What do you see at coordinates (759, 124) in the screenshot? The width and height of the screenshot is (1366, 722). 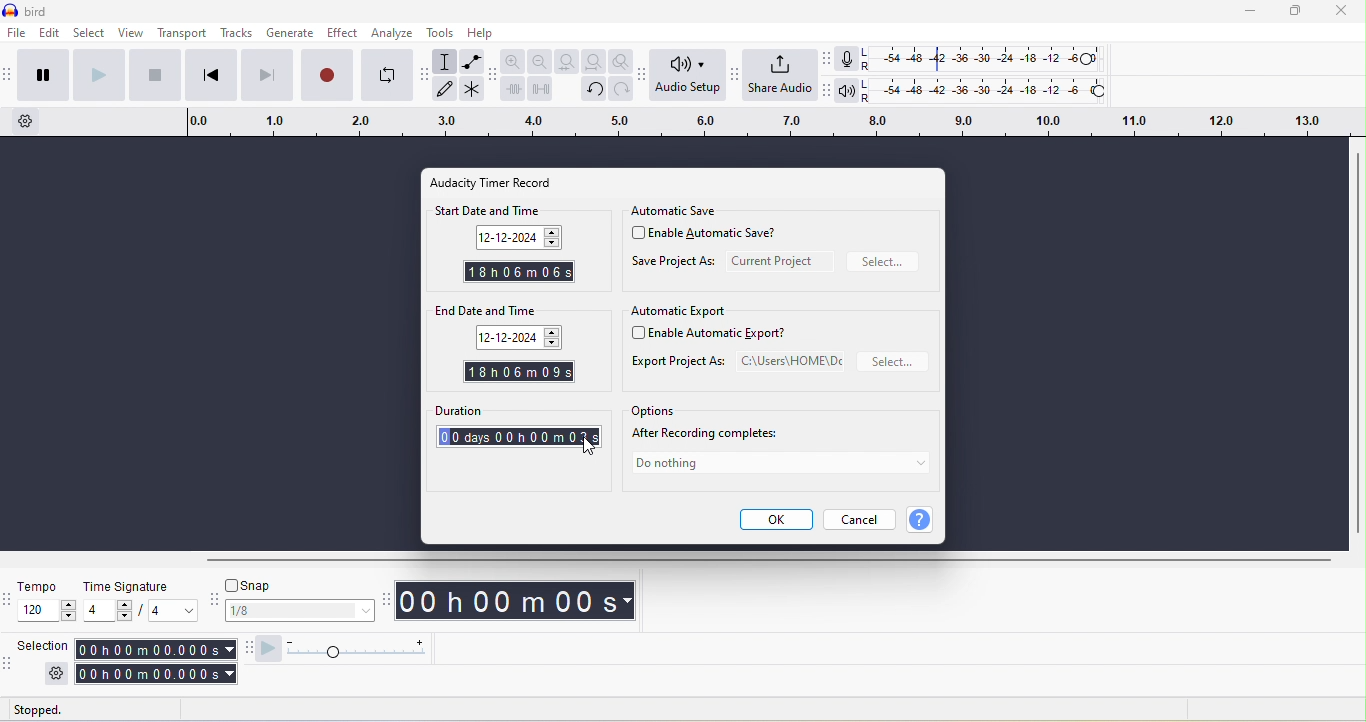 I see `click and drag to define a looping region` at bounding box center [759, 124].